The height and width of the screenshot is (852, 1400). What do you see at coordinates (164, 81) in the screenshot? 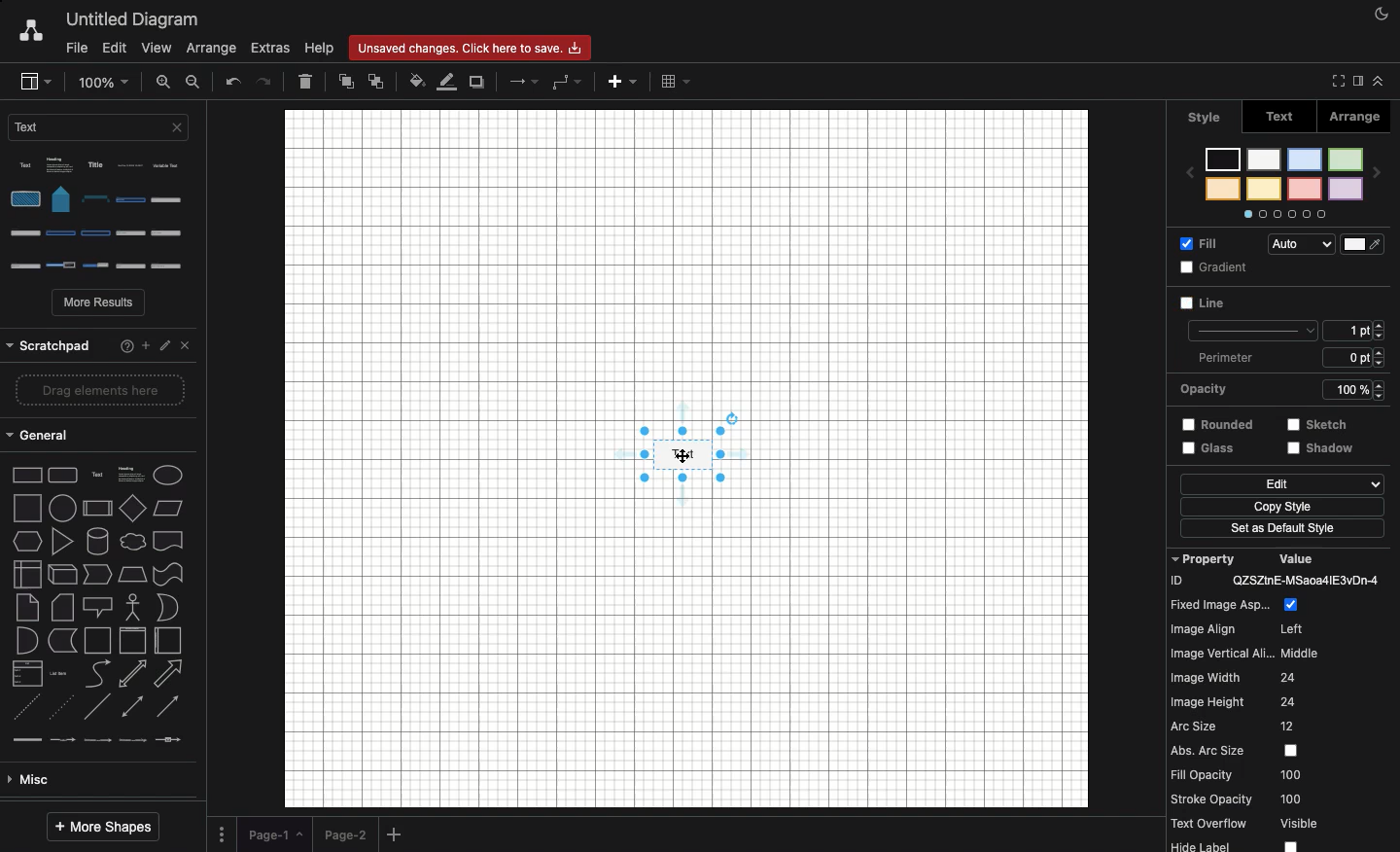
I see `Zoom in` at bounding box center [164, 81].